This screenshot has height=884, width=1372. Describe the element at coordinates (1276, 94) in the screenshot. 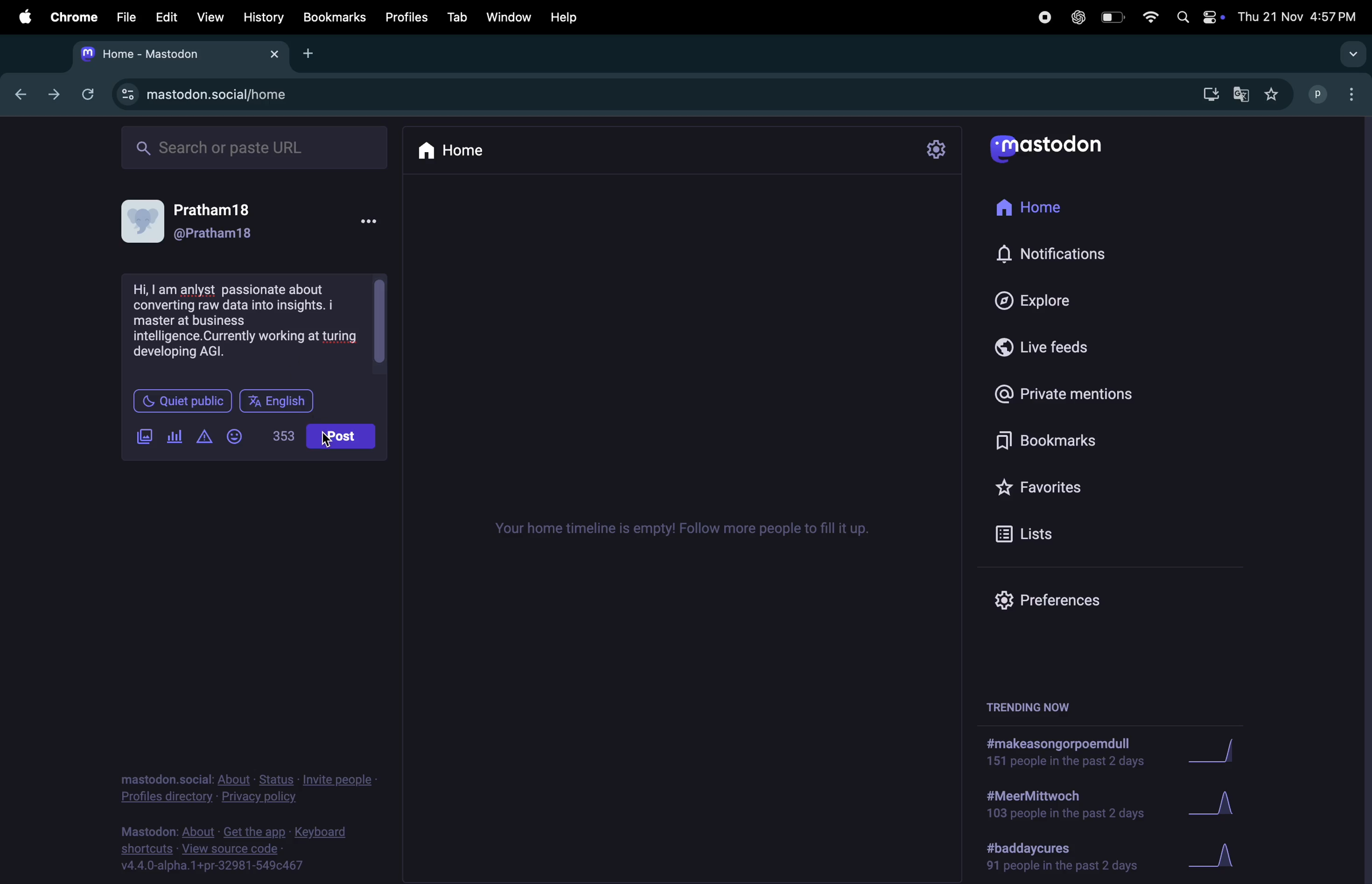

I see `favouited` at that location.